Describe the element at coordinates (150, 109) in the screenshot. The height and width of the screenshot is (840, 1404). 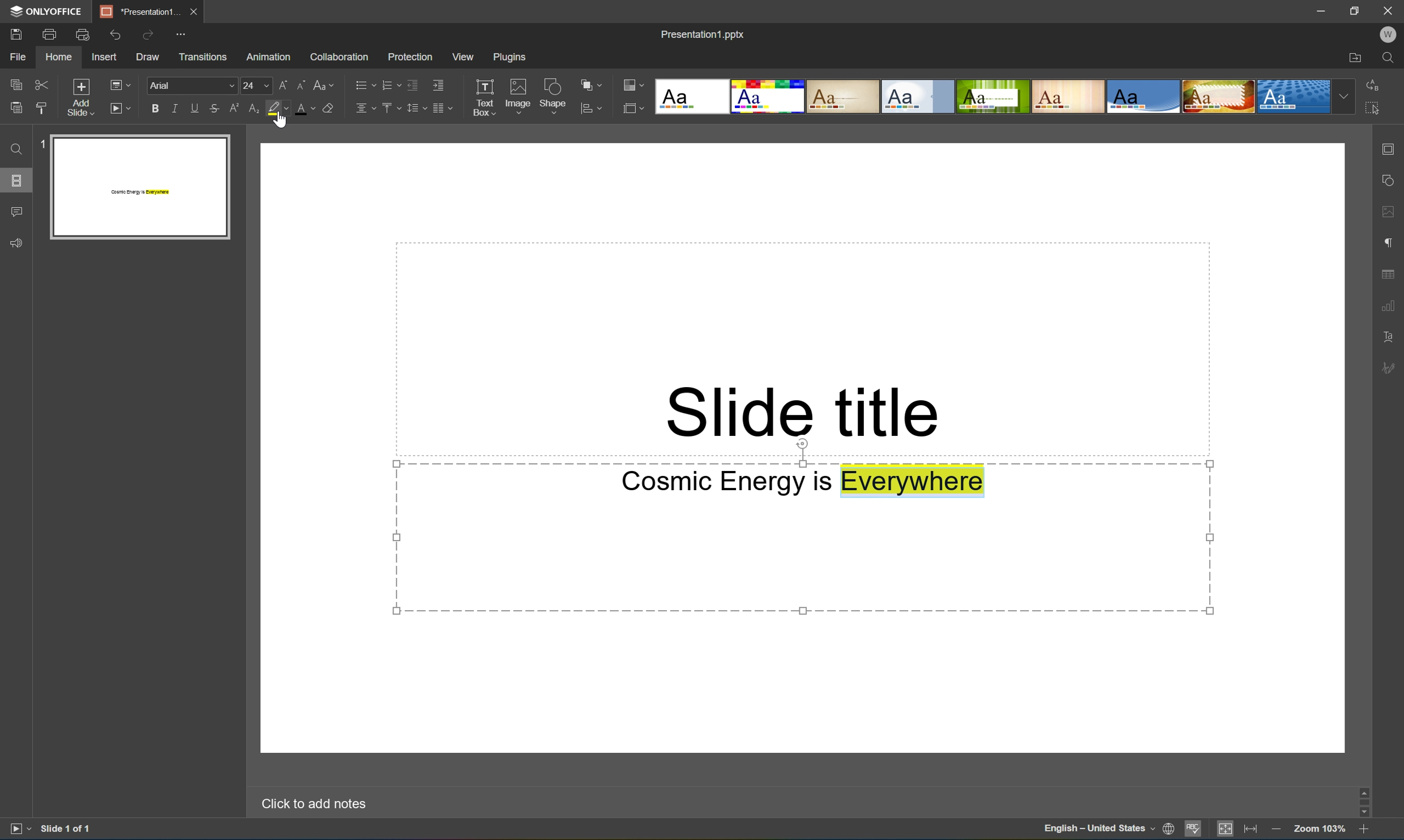
I see `Bold` at that location.